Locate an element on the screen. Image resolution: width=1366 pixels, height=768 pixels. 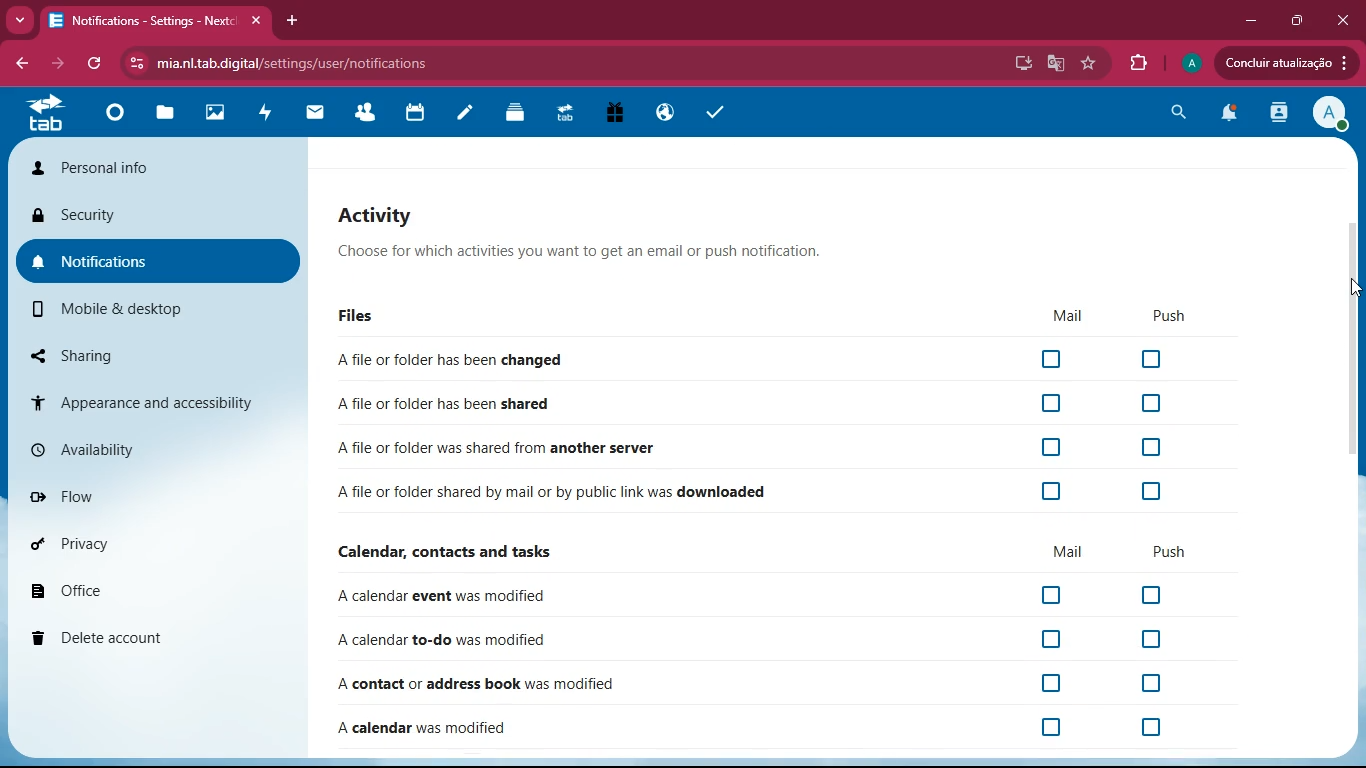
View Profile is located at coordinates (1332, 115).